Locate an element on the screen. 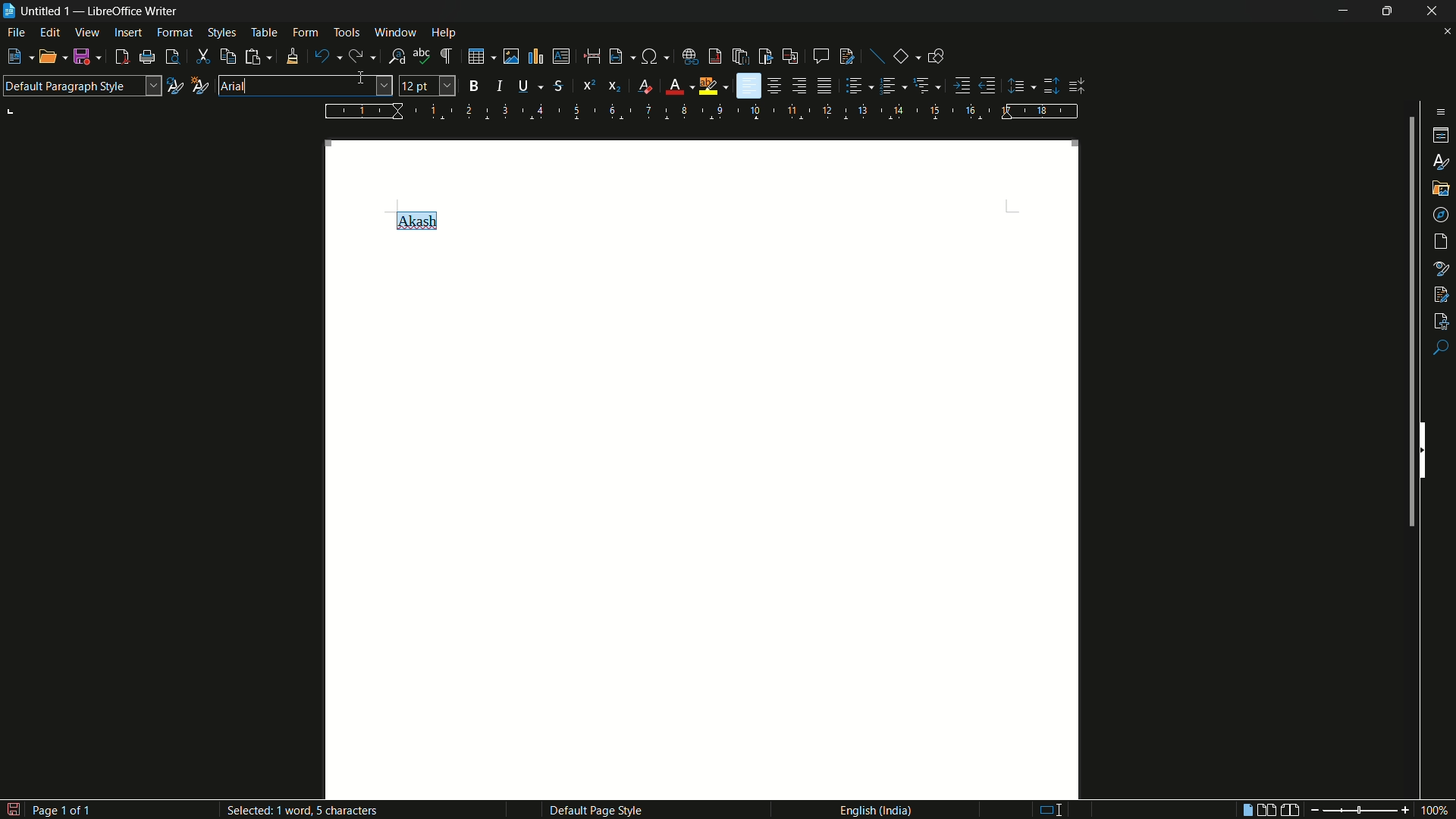 The height and width of the screenshot is (819, 1456). scroll bar is located at coordinates (1407, 325).